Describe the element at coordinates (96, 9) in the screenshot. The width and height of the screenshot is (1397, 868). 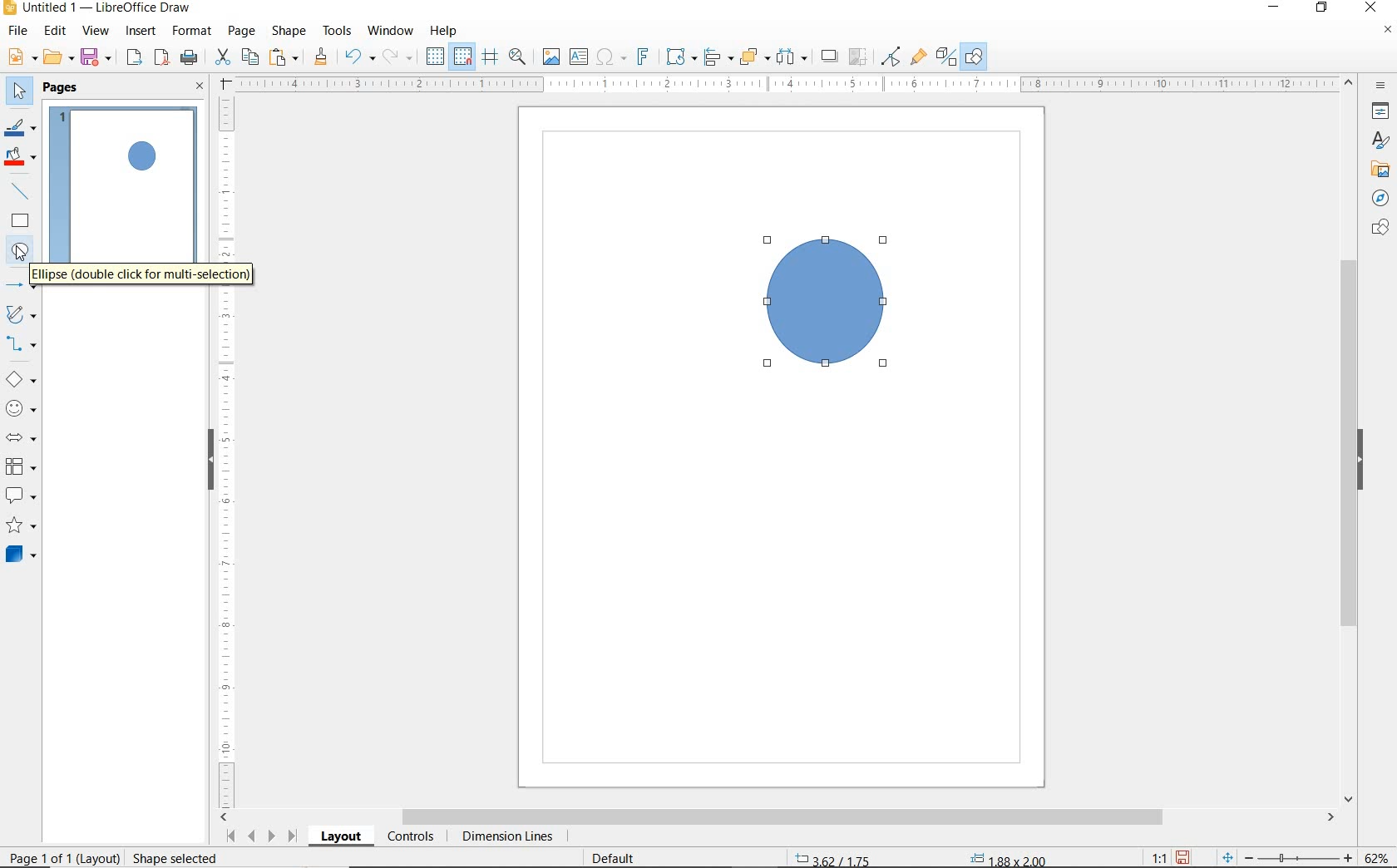
I see `FILE NAME` at that location.